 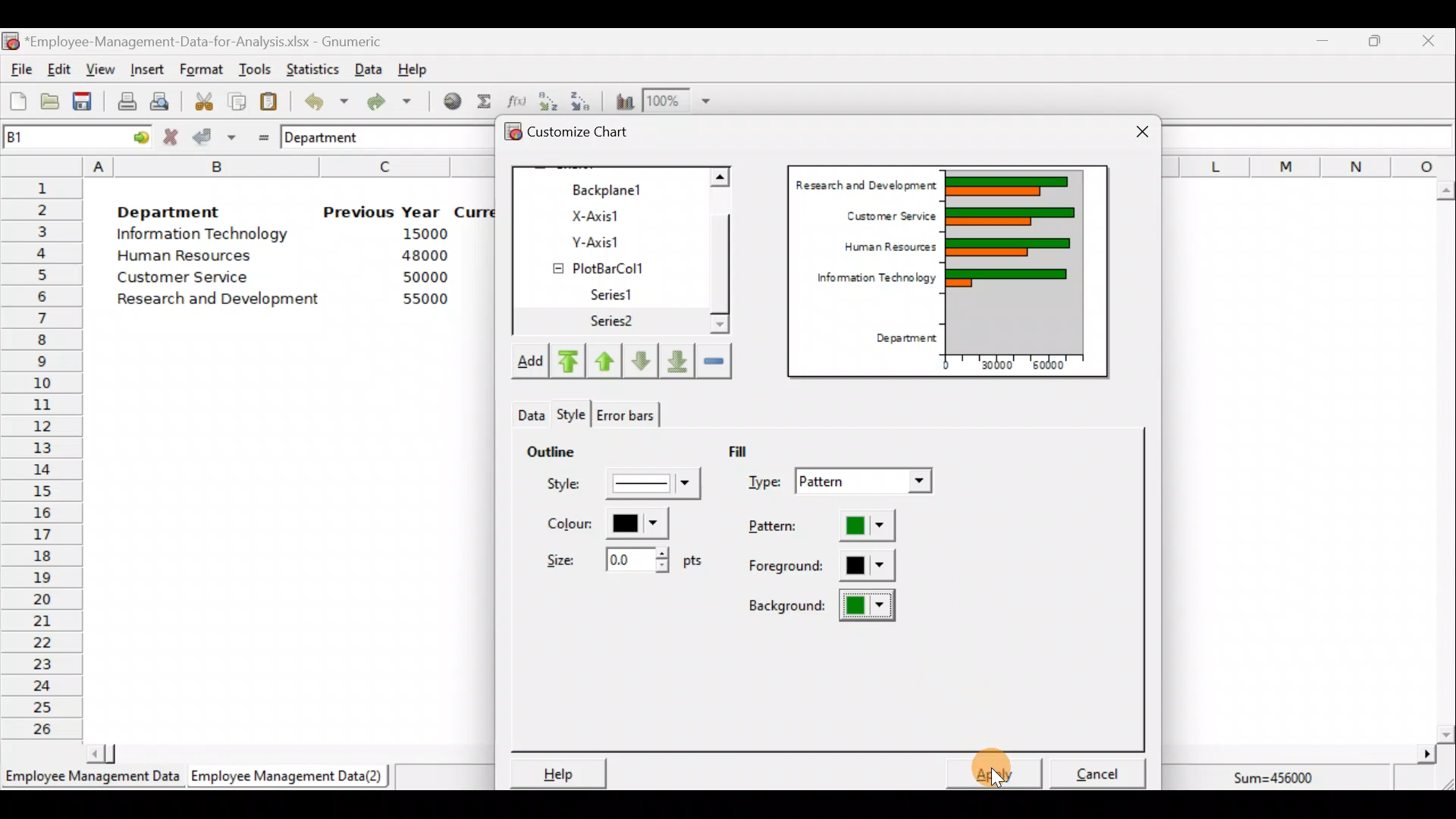 What do you see at coordinates (823, 566) in the screenshot?
I see `Foreground` at bounding box center [823, 566].